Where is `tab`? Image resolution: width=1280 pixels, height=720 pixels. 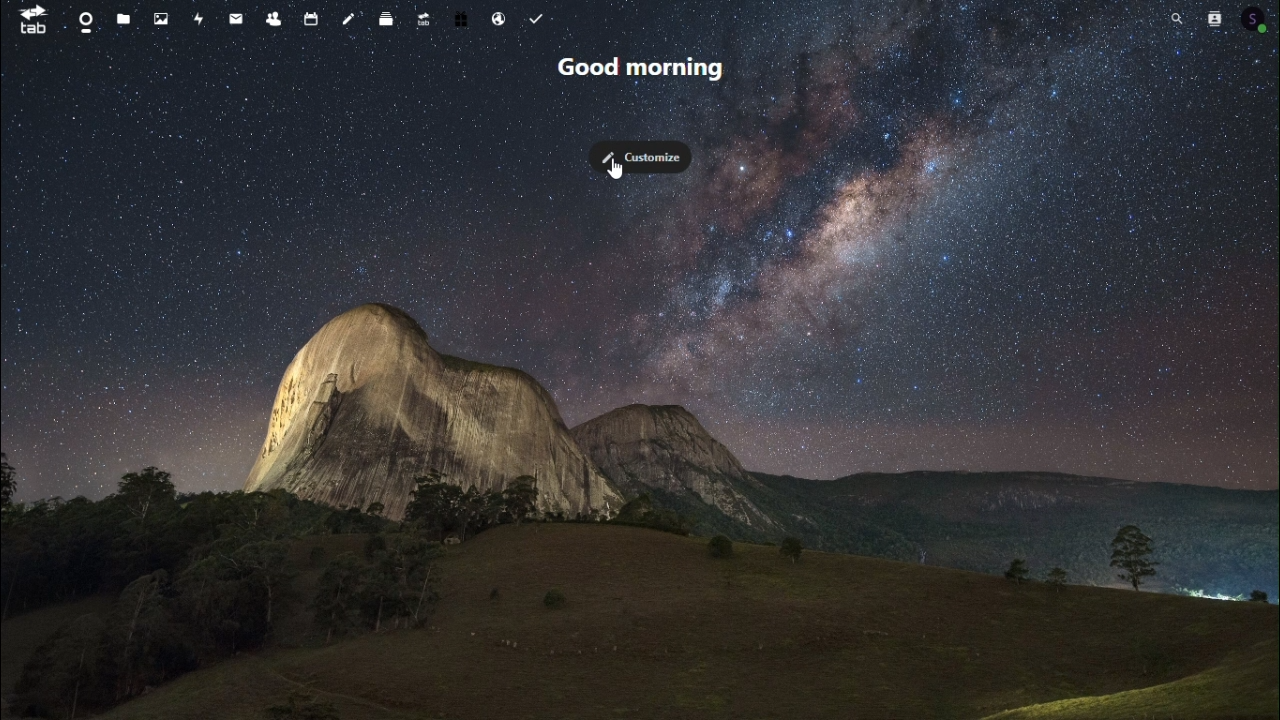
tab is located at coordinates (27, 19).